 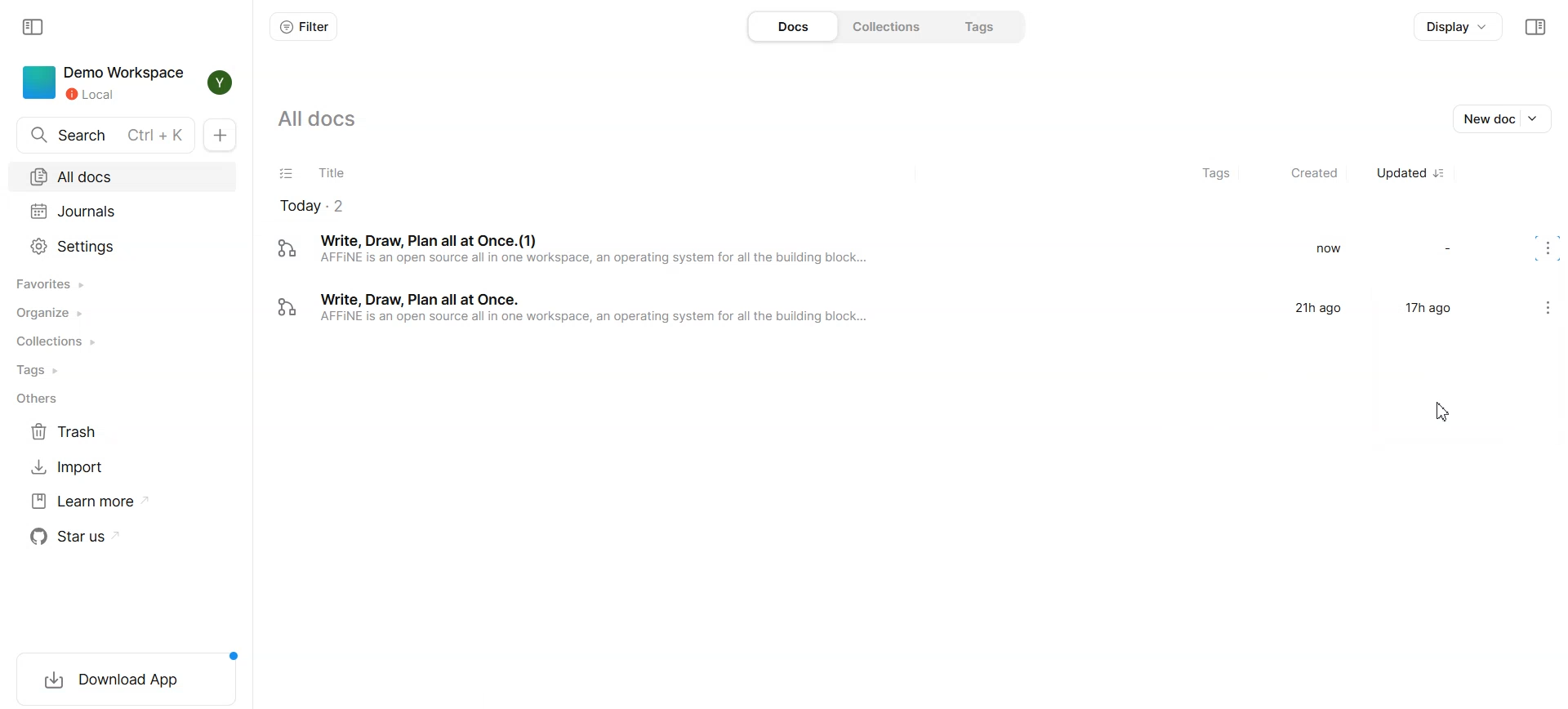 I want to click on Collapse sidebar, so click(x=1535, y=27).